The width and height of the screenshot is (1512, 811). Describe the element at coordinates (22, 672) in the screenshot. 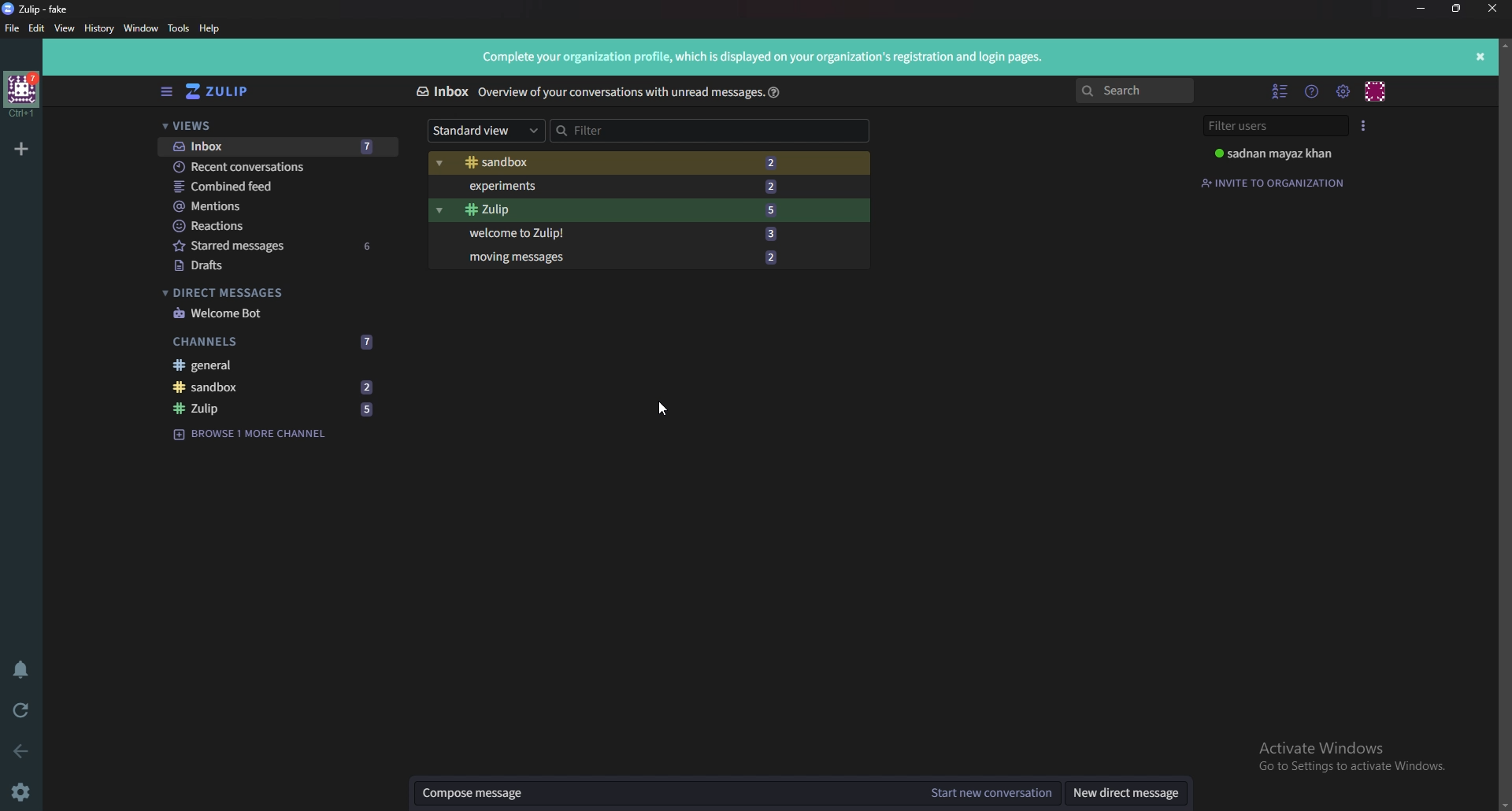

I see `Enable do not disturb` at that location.